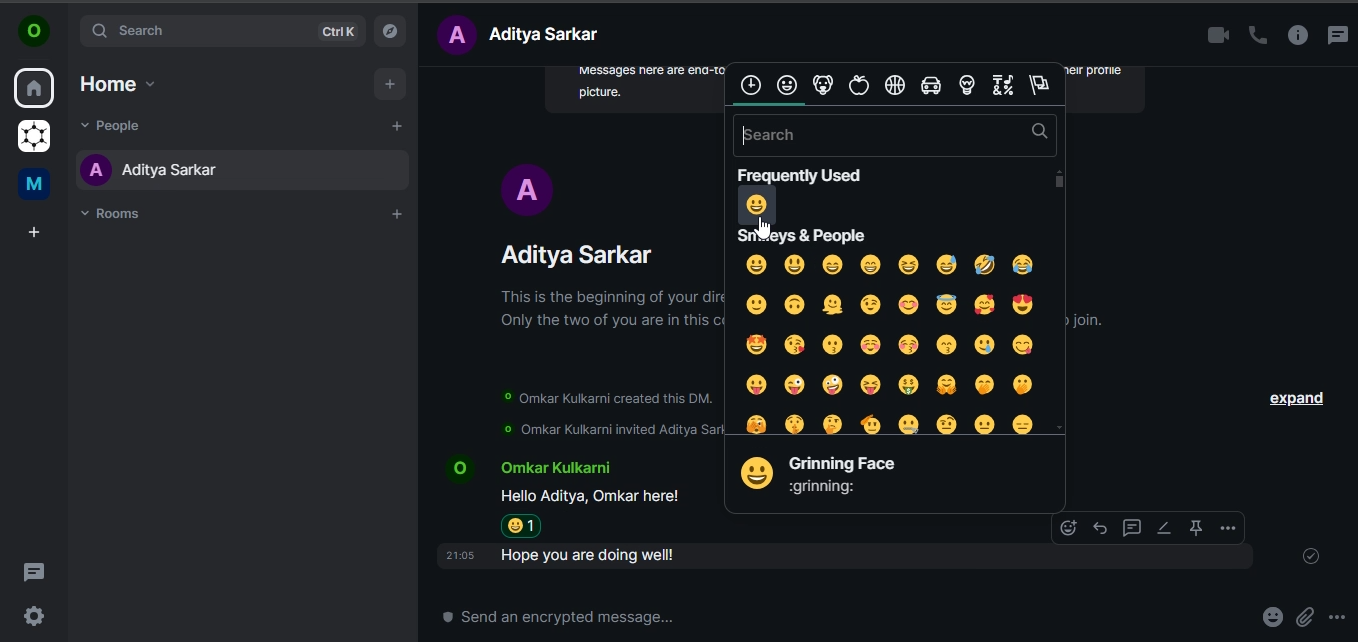  I want to click on rooms, so click(114, 214).